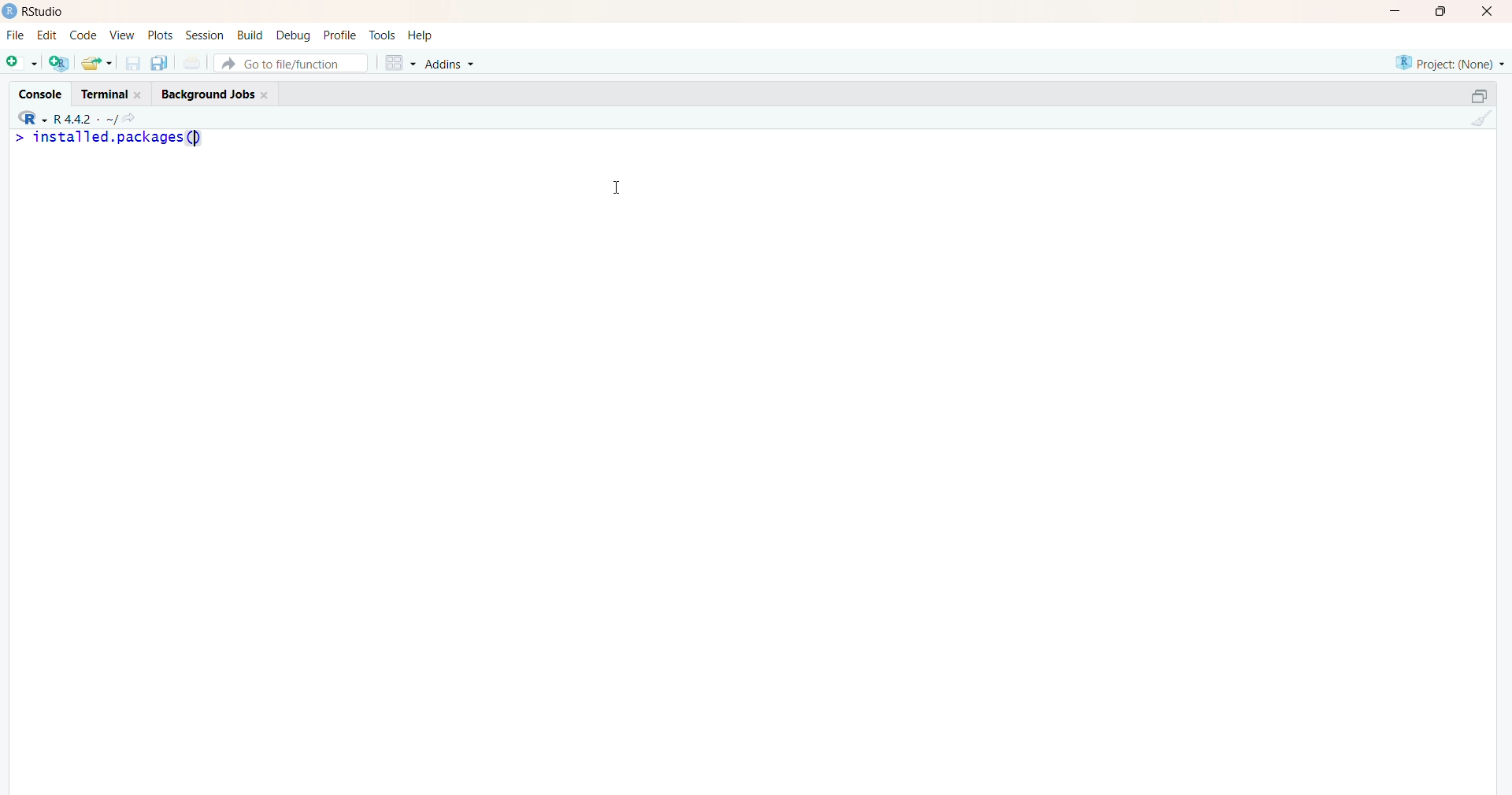  What do you see at coordinates (1447, 61) in the screenshot?
I see `project(none)` at bounding box center [1447, 61].